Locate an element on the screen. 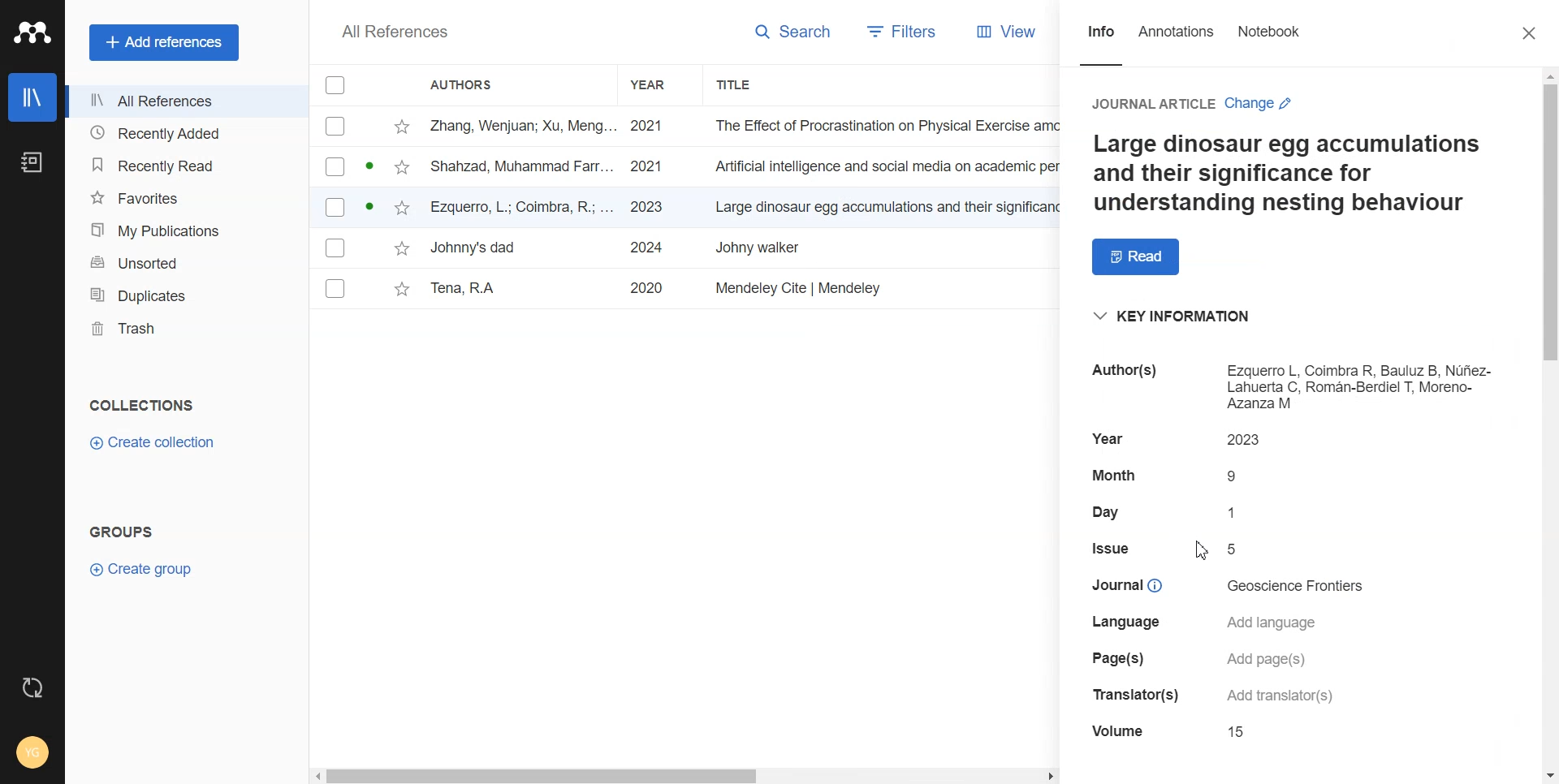 This screenshot has height=784, width=1559. Key information is located at coordinates (1174, 317).